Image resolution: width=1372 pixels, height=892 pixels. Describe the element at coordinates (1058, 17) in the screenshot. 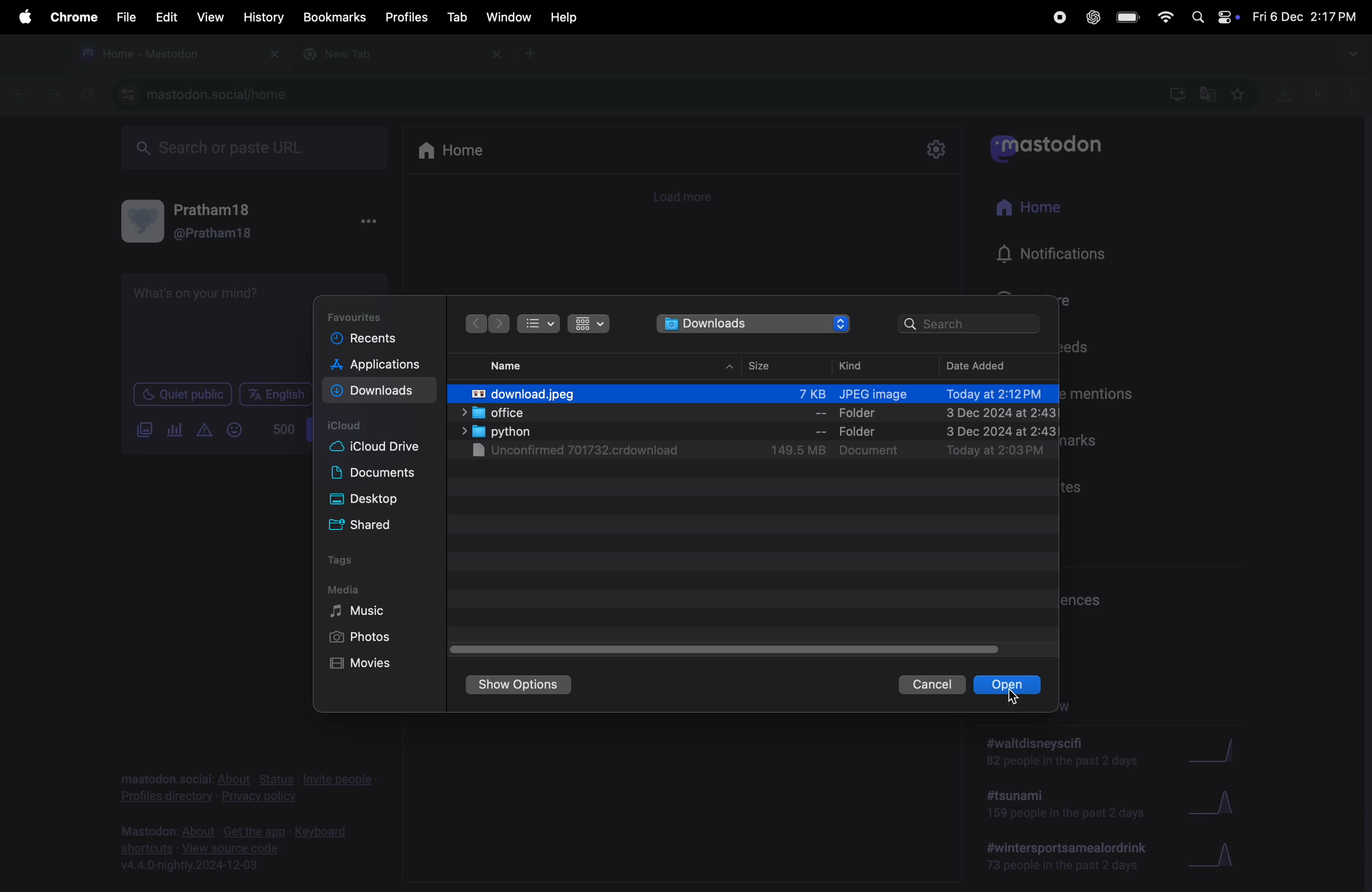

I see `record` at that location.